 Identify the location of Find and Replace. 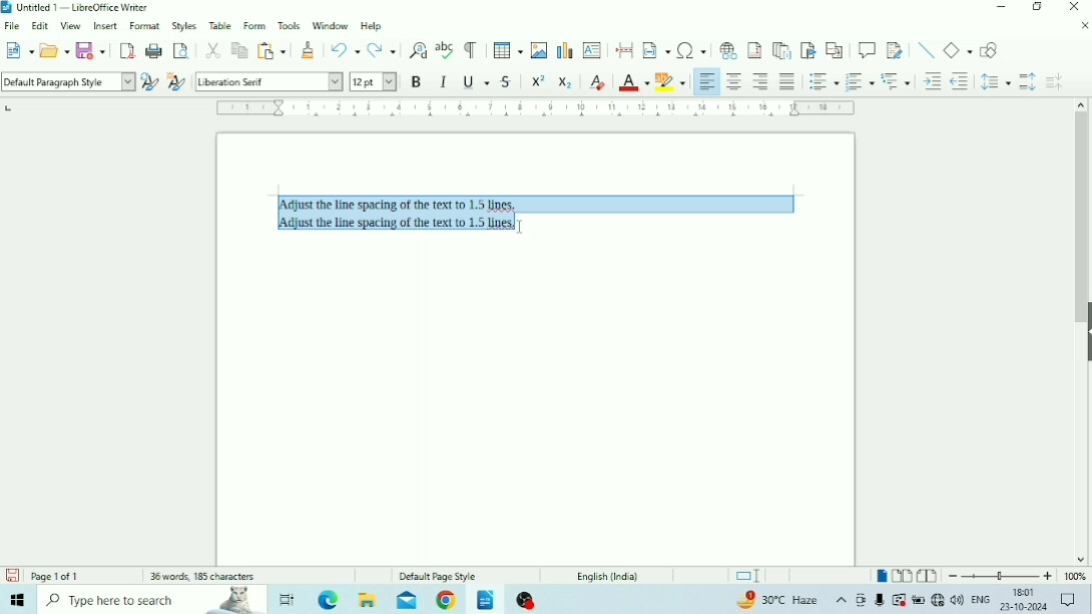
(417, 49).